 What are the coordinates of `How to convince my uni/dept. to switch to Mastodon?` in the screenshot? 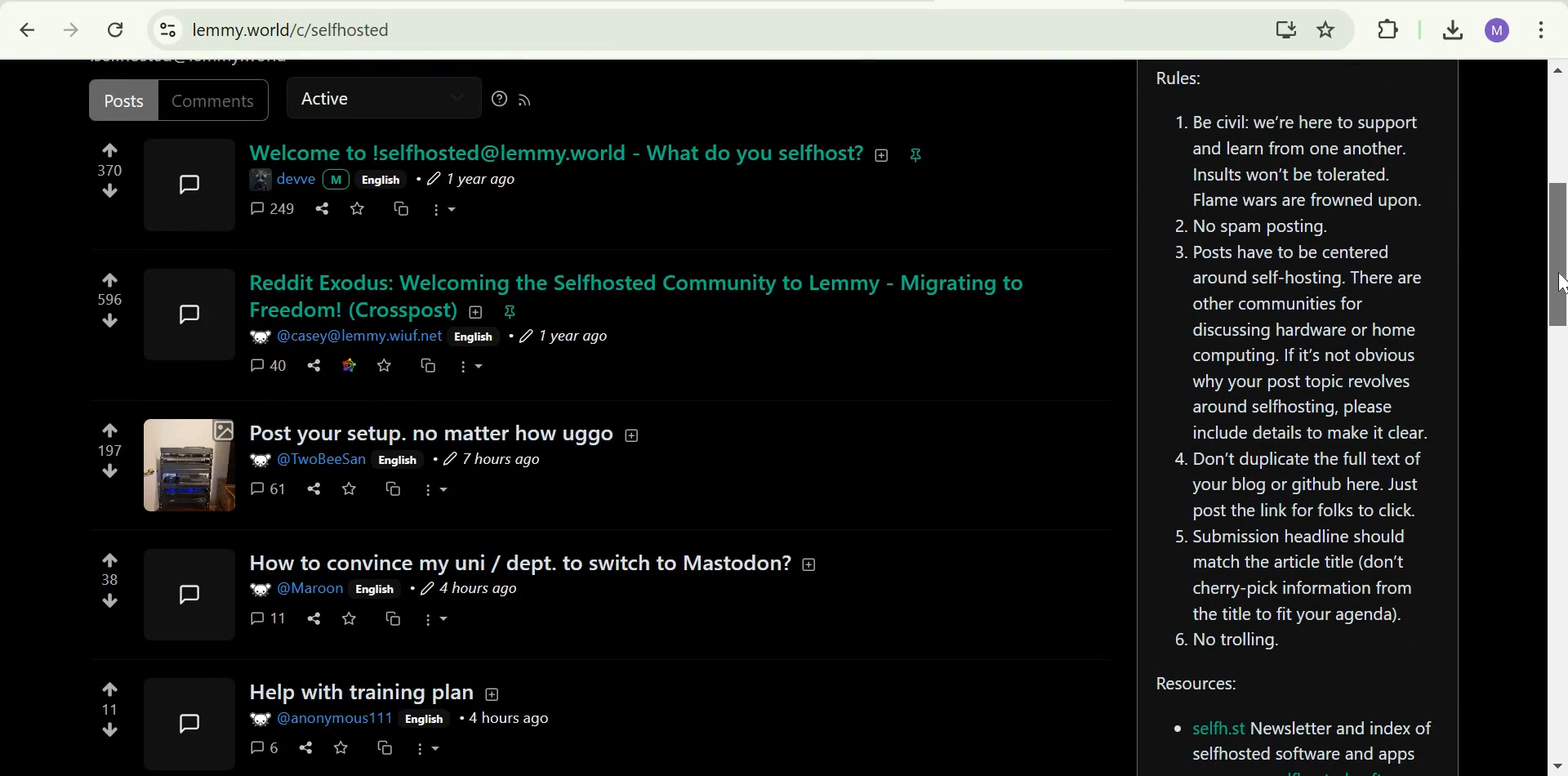 It's located at (517, 563).